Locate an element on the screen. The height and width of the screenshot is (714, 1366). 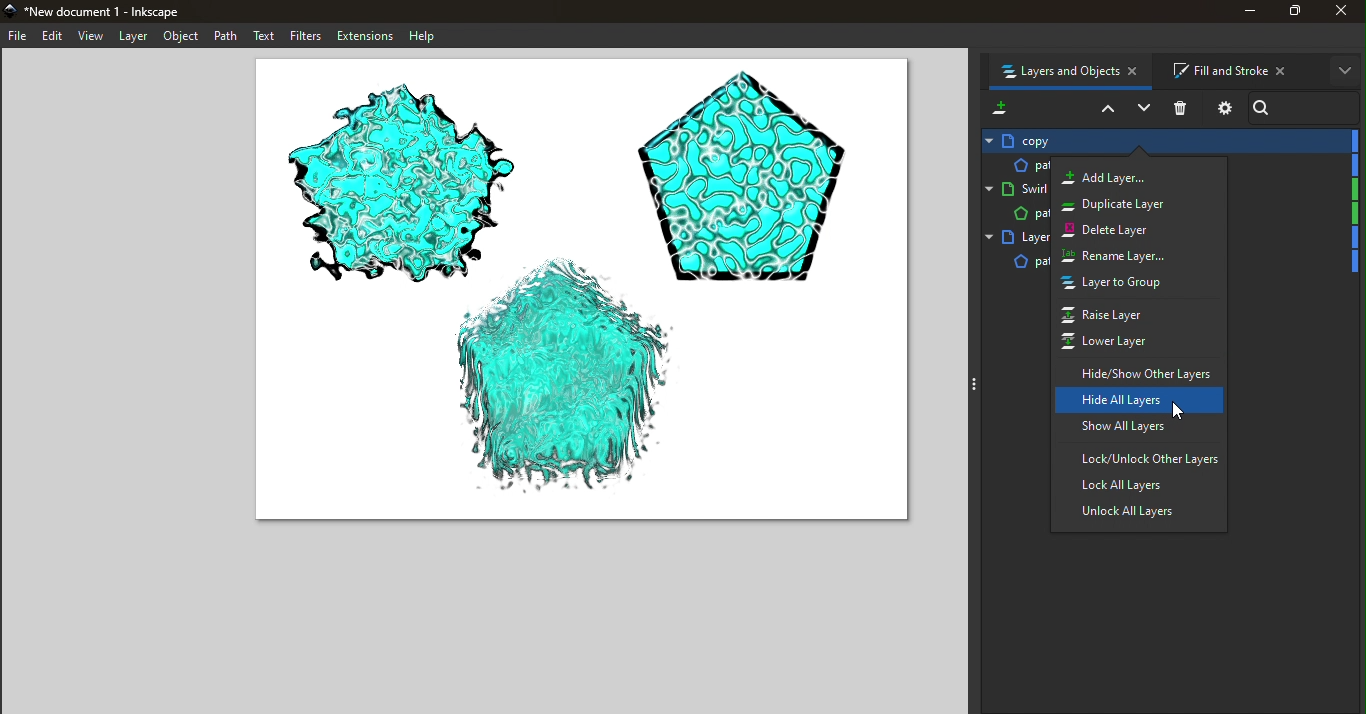
Lower selection one step is located at coordinates (1145, 109).